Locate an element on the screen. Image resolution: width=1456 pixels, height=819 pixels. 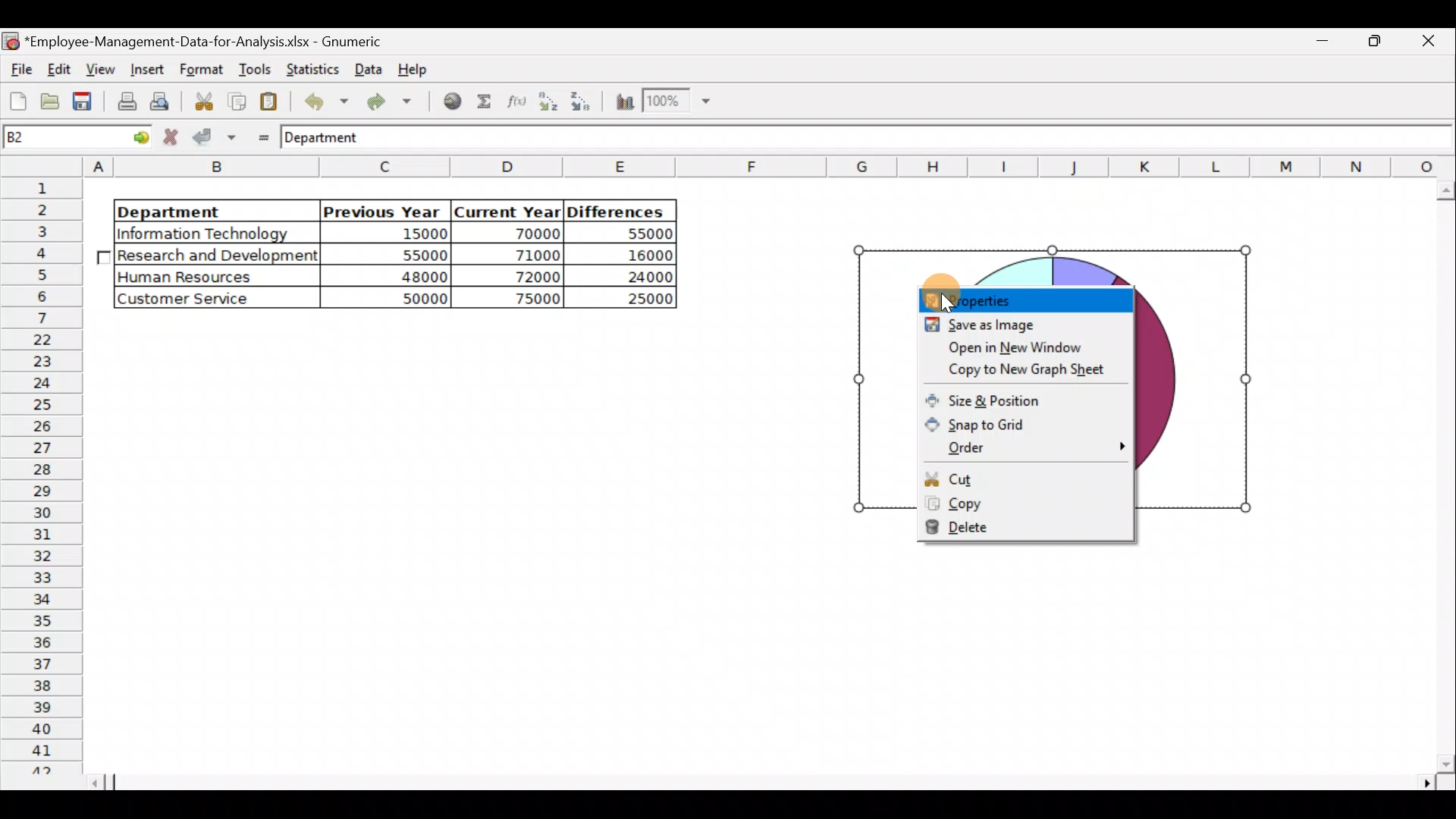
Size & position is located at coordinates (1001, 396).